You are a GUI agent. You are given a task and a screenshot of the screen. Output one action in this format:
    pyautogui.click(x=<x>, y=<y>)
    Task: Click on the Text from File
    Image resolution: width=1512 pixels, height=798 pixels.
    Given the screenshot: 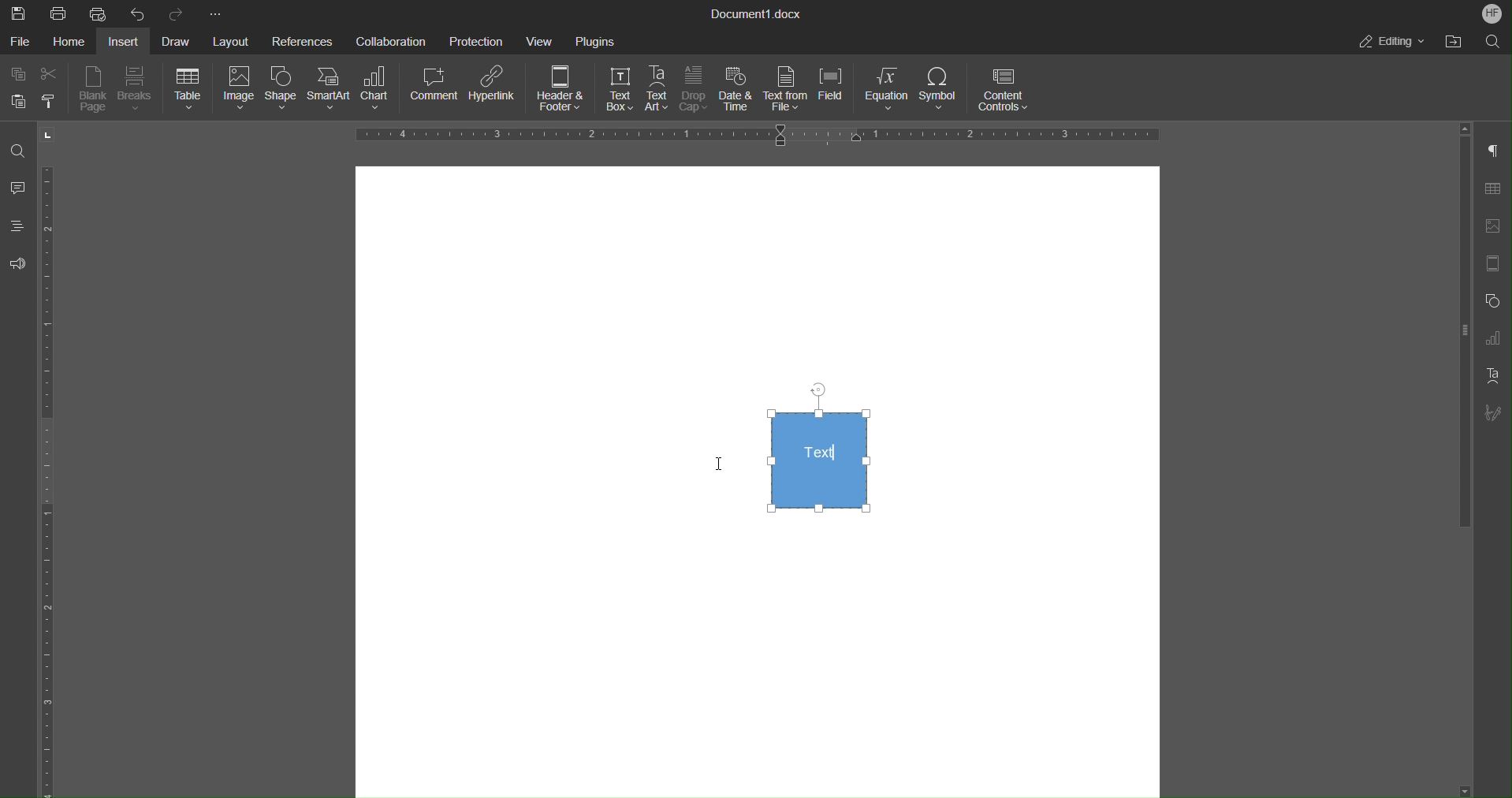 What is the action you would take?
    pyautogui.click(x=787, y=90)
    